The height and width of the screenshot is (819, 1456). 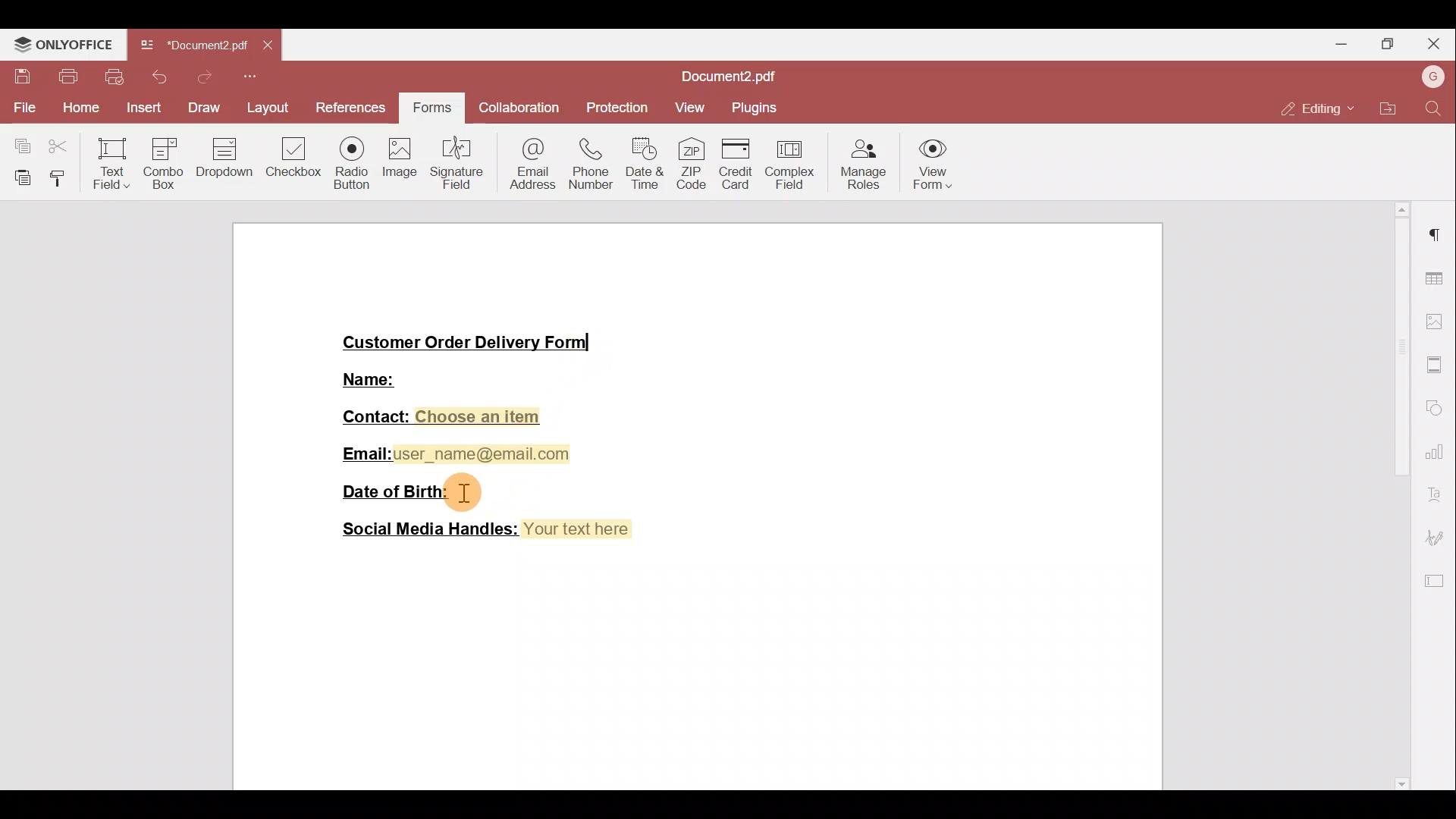 I want to click on Complex field, so click(x=791, y=165).